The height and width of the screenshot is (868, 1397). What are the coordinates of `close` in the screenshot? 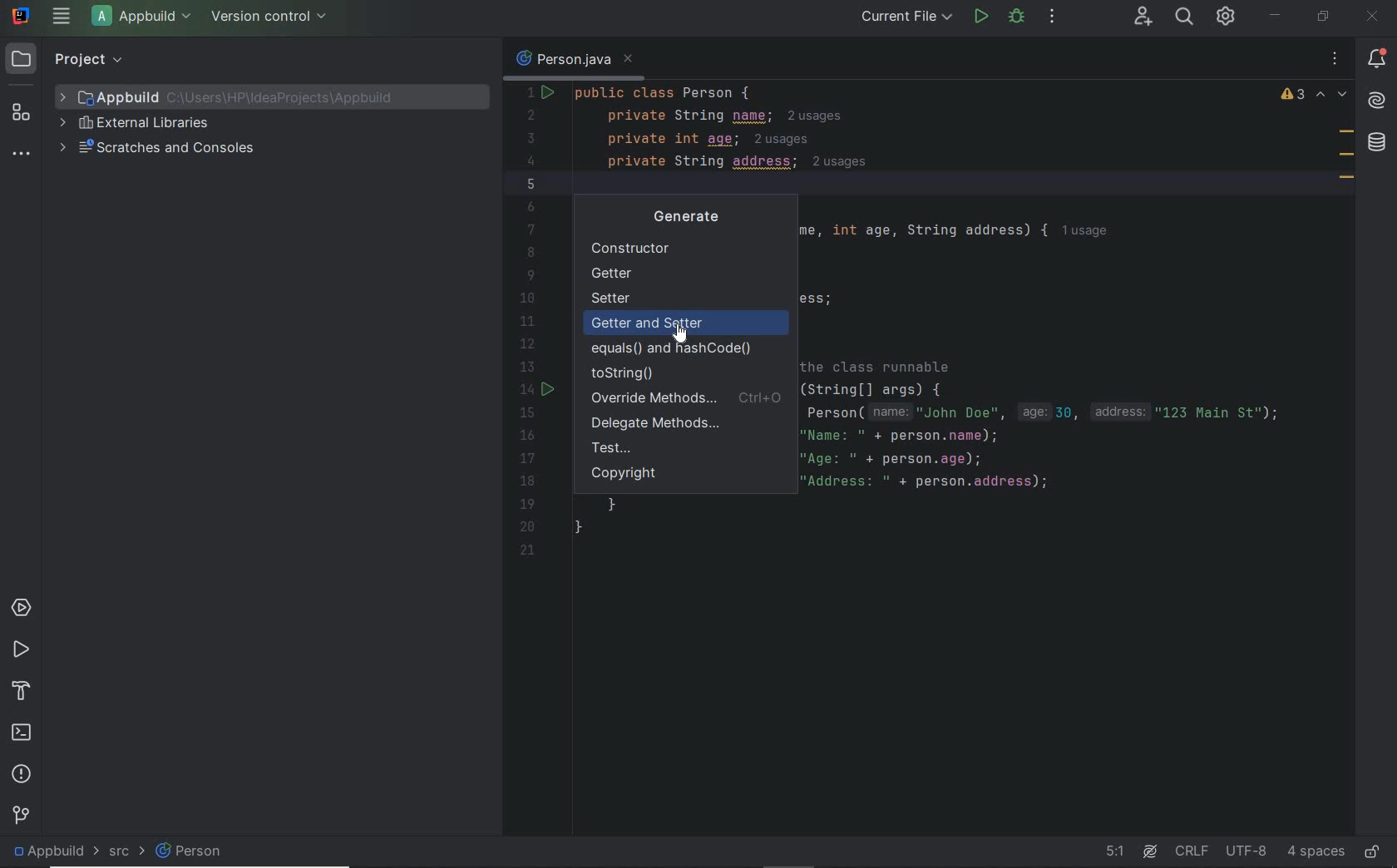 It's located at (1373, 17).